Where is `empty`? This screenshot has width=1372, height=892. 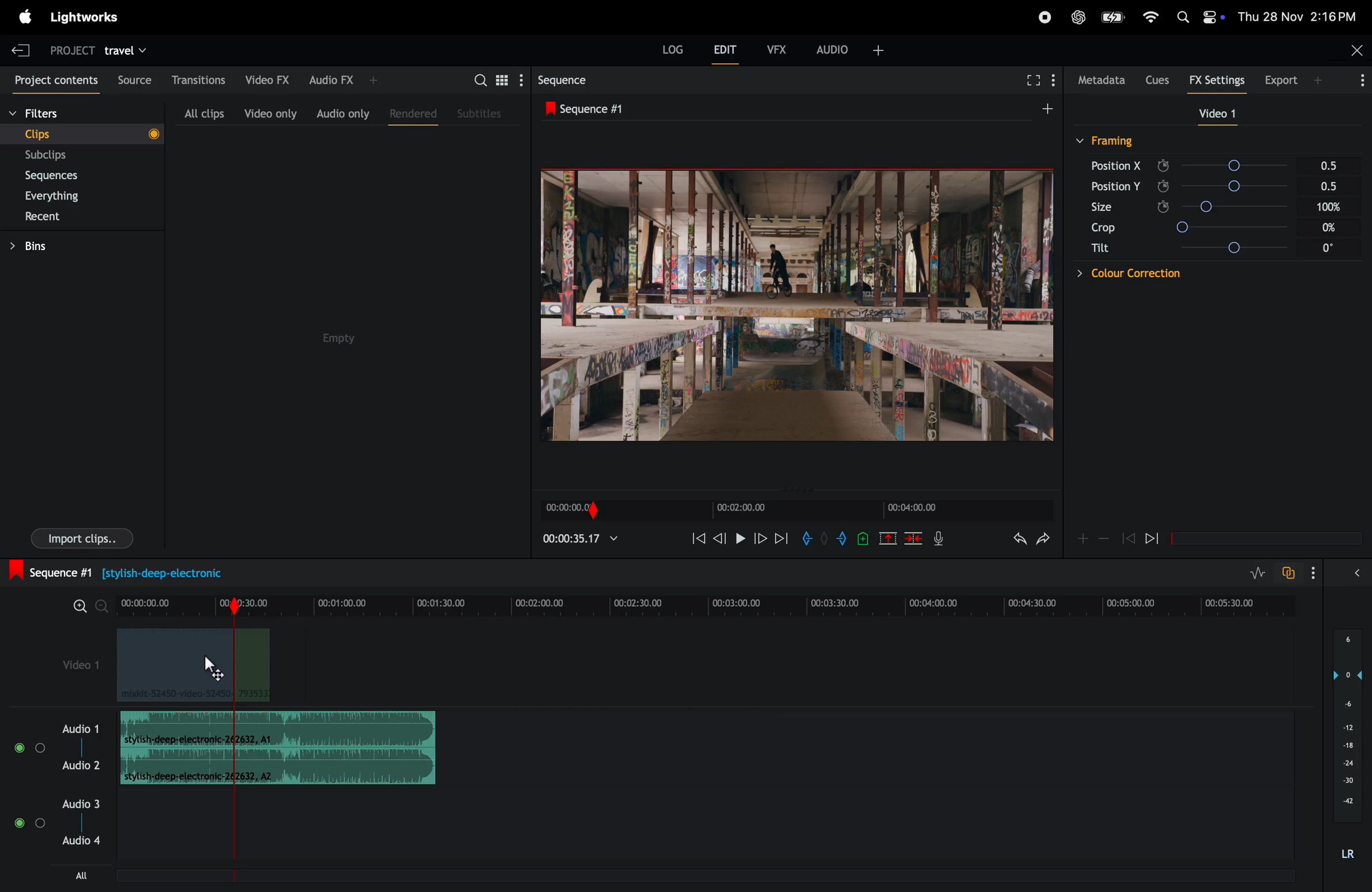
empty is located at coordinates (342, 338).